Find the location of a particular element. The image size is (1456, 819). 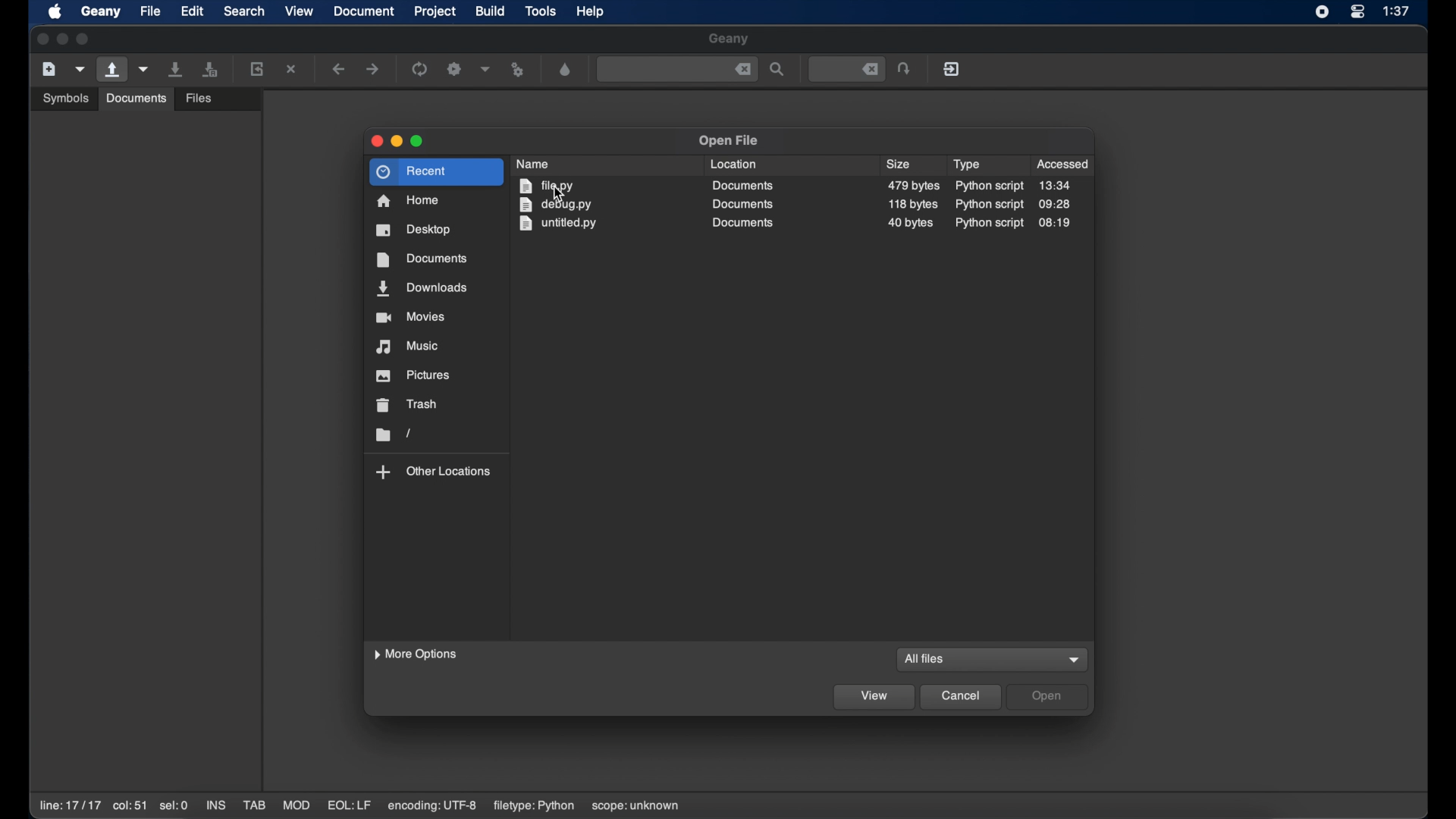

project is located at coordinates (435, 11).